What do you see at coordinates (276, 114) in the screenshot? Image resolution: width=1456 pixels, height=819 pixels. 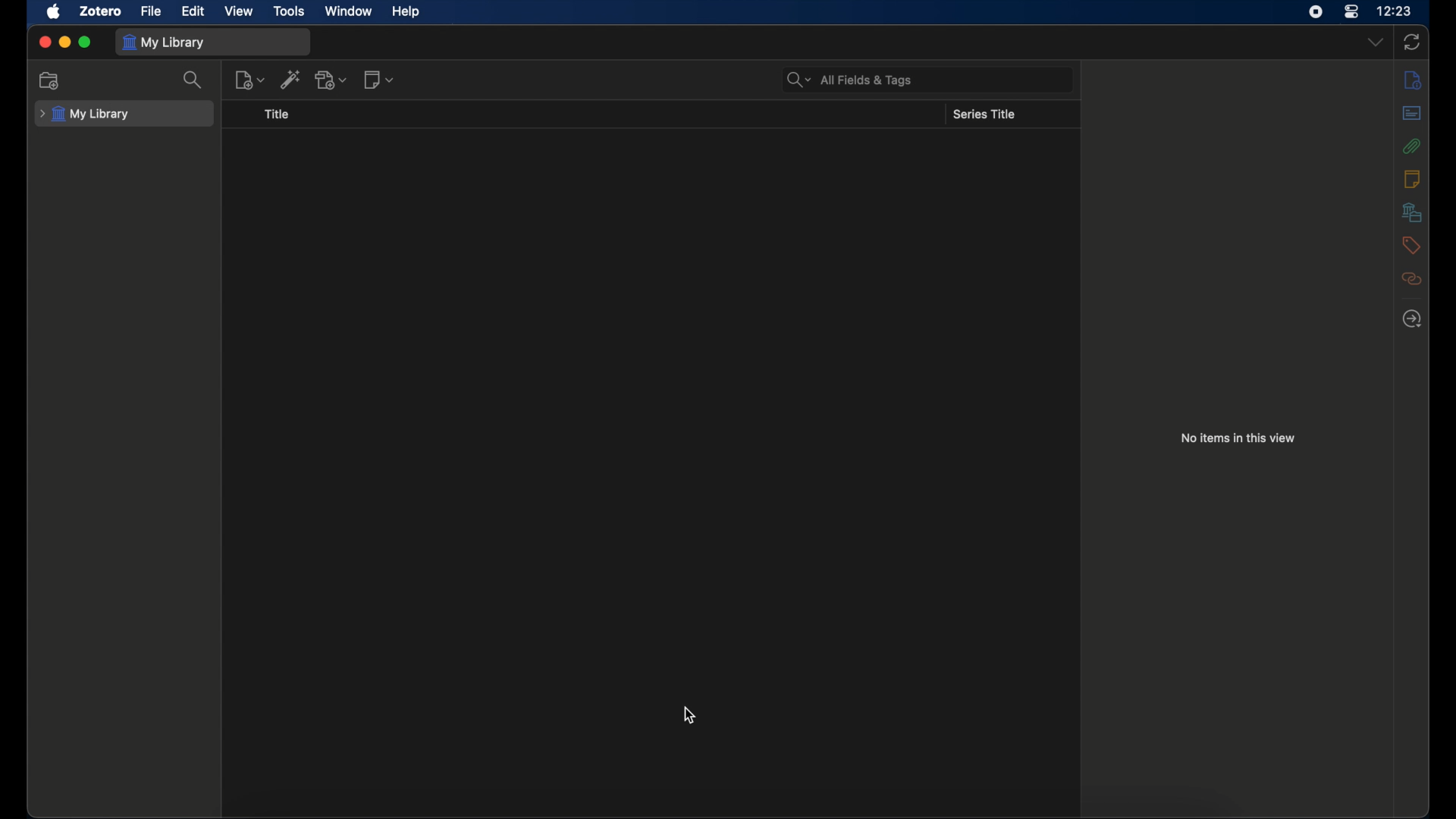 I see `title` at bounding box center [276, 114].